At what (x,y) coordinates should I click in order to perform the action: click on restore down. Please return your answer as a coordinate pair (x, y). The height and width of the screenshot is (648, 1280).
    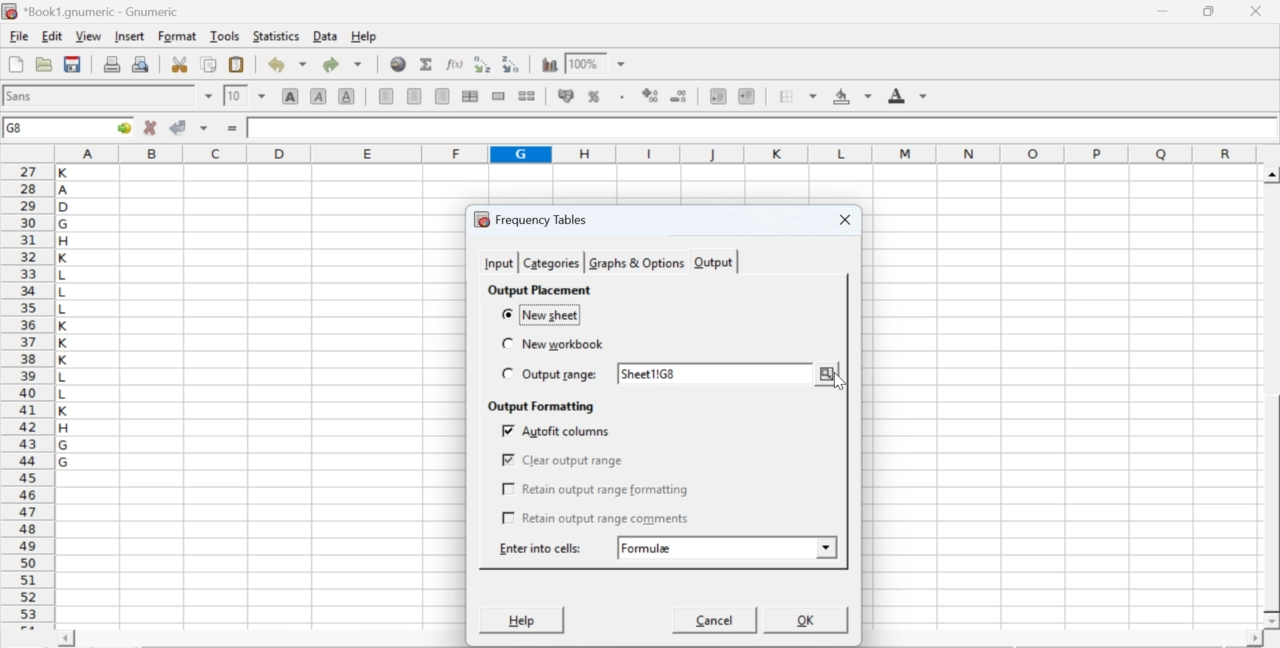
    Looking at the image, I should click on (1210, 12).